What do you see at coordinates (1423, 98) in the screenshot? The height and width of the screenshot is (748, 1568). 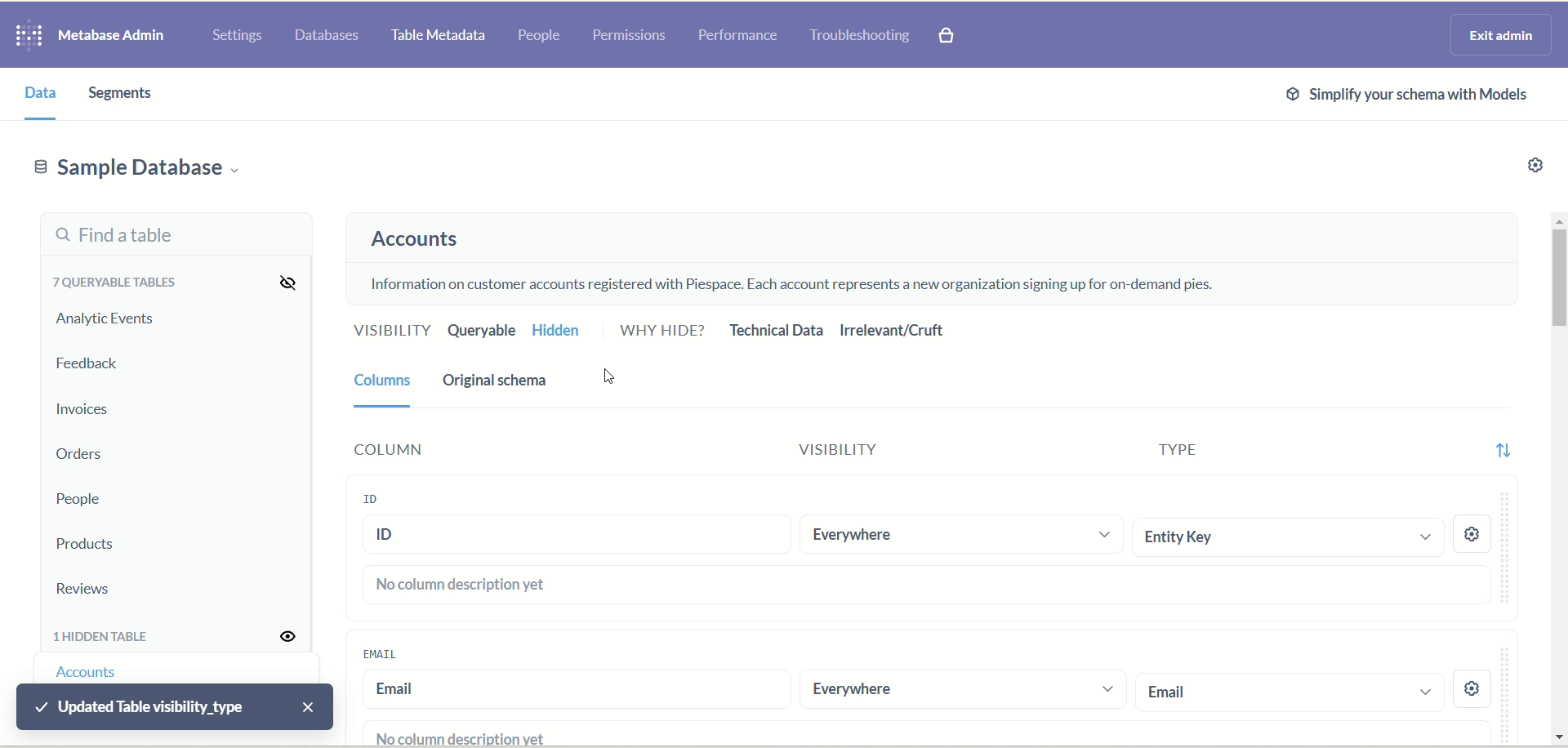 I see `simplify your schema with models` at bounding box center [1423, 98].